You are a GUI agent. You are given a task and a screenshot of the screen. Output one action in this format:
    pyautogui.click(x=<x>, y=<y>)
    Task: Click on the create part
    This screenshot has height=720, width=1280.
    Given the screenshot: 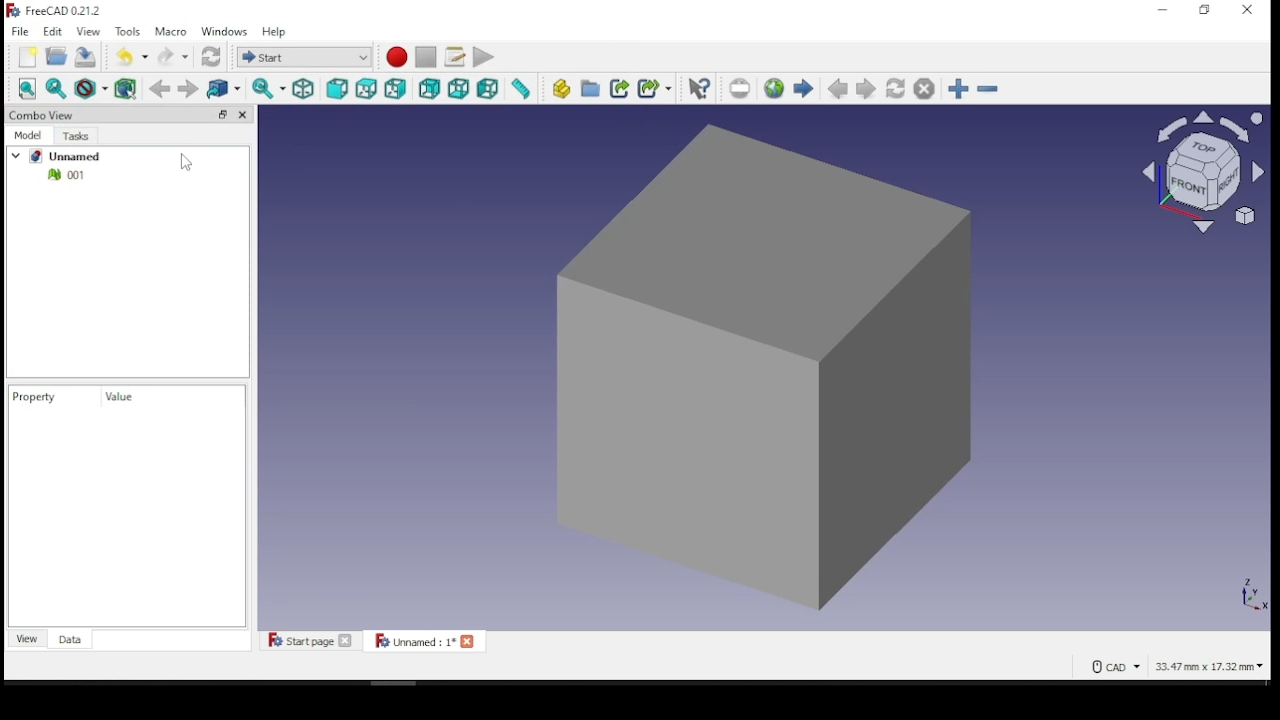 What is the action you would take?
    pyautogui.click(x=560, y=88)
    